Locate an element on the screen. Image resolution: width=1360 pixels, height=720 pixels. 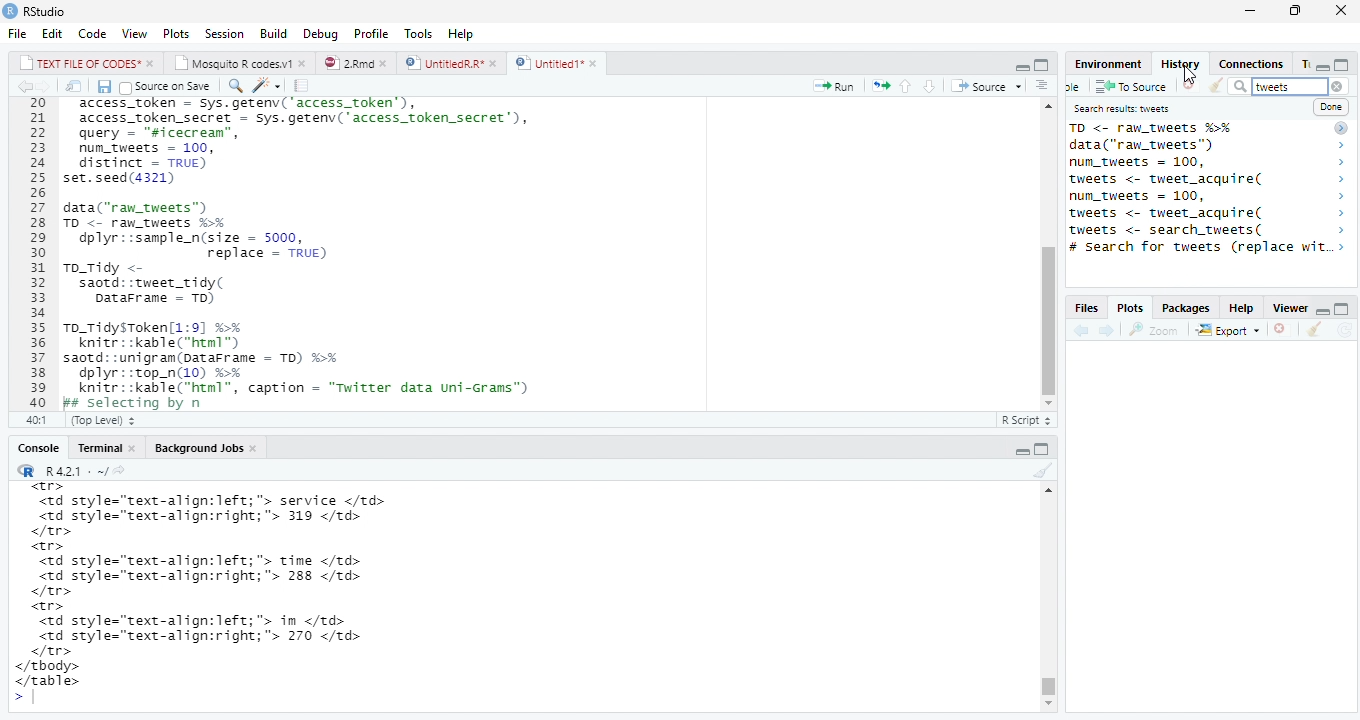
clear console is located at coordinates (1316, 330).